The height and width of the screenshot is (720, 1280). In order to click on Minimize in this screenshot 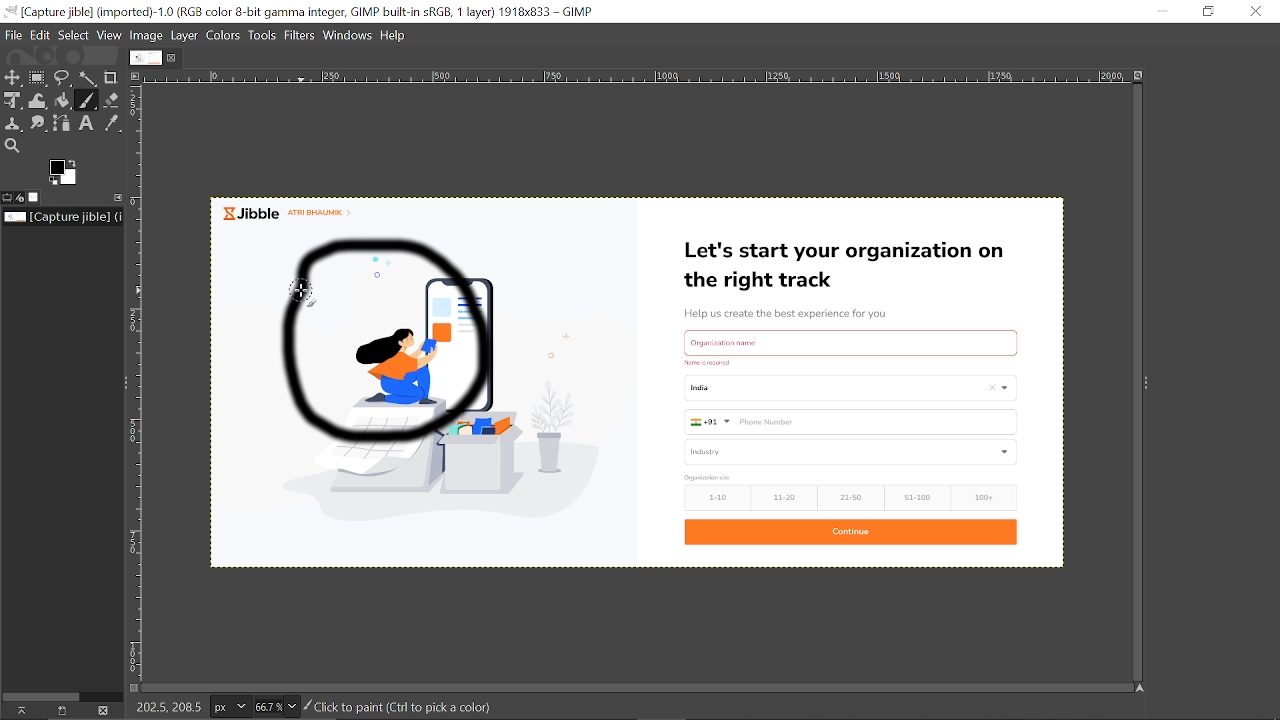, I will do `click(1162, 10)`.